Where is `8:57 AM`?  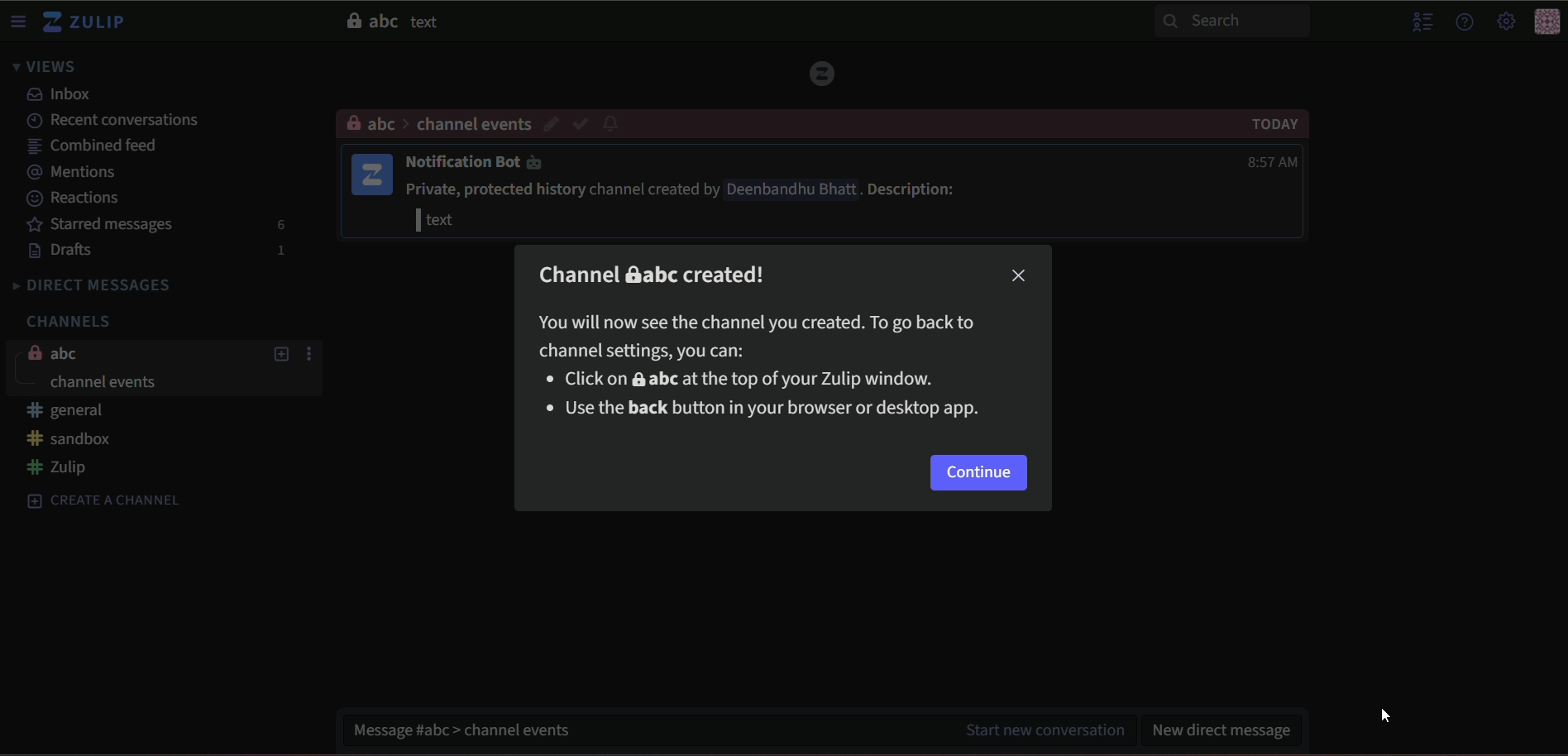
8:57 AM is located at coordinates (1262, 162).